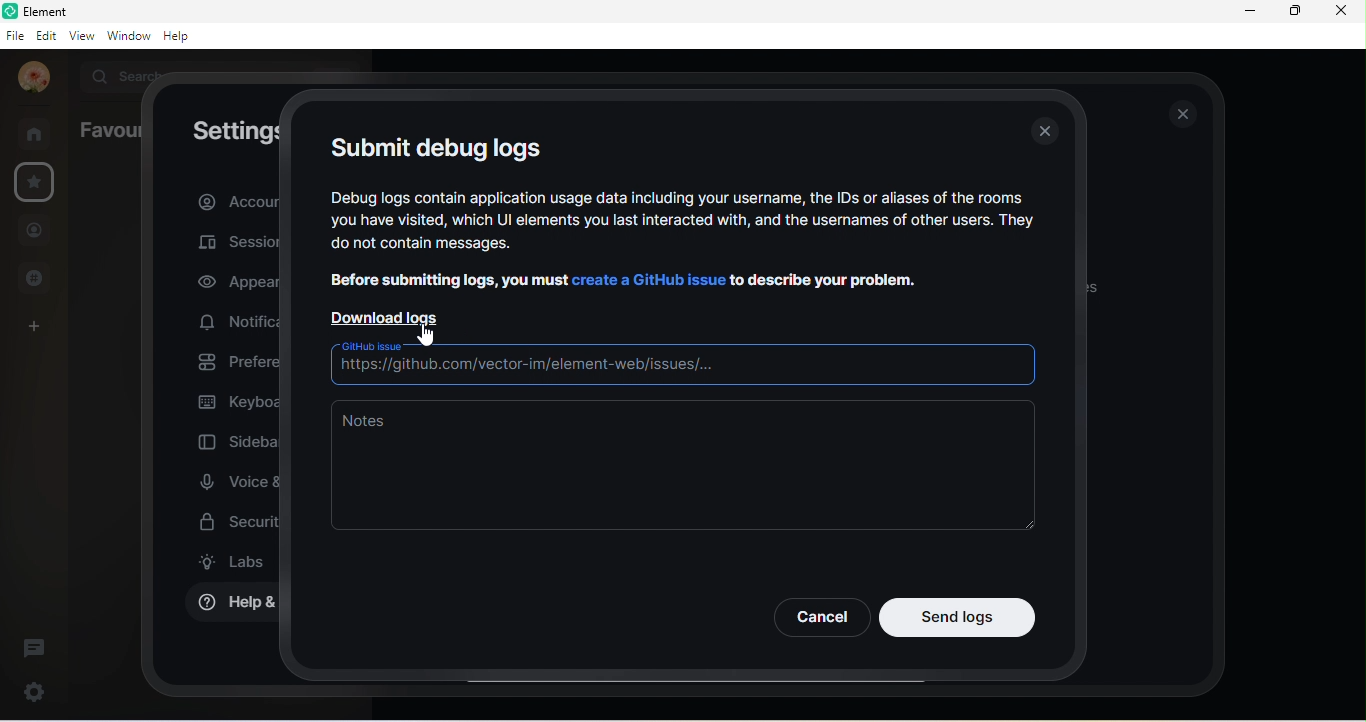 The height and width of the screenshot is (722, 1366). I want to click on people, so click(35, 230).